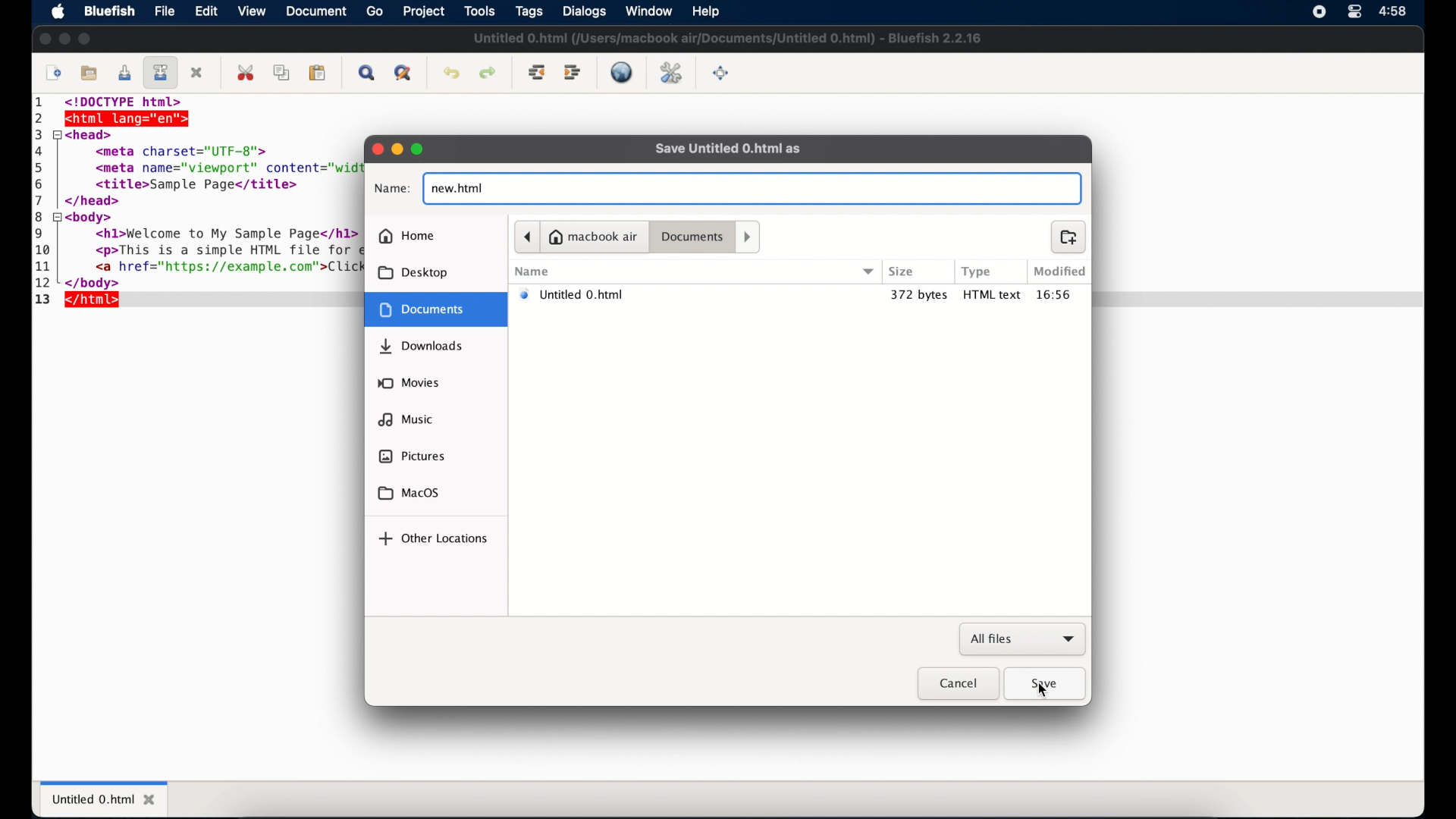 This screenshot has height=819, width=1456. I want to click on <h1>Welcome to My Sample Page</h1>, so click(215, 235).